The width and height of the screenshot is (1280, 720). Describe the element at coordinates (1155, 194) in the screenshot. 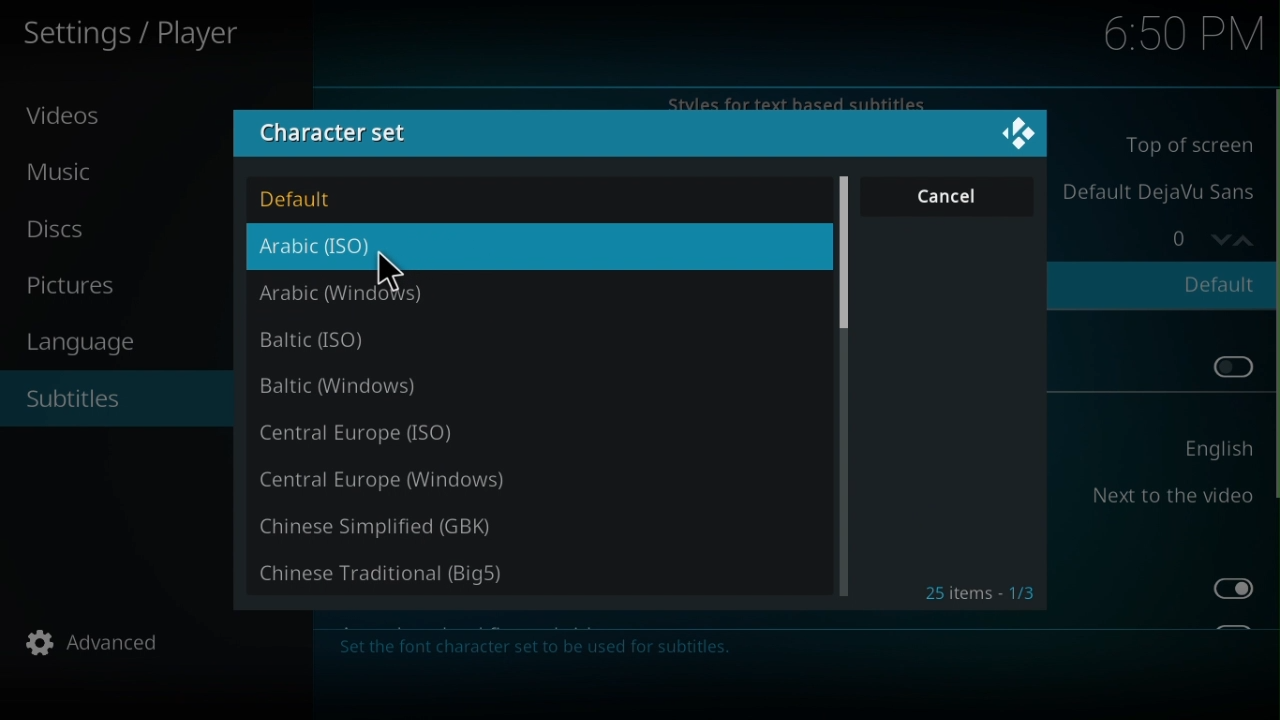

I see `Default DejaVu Sans` at that location.